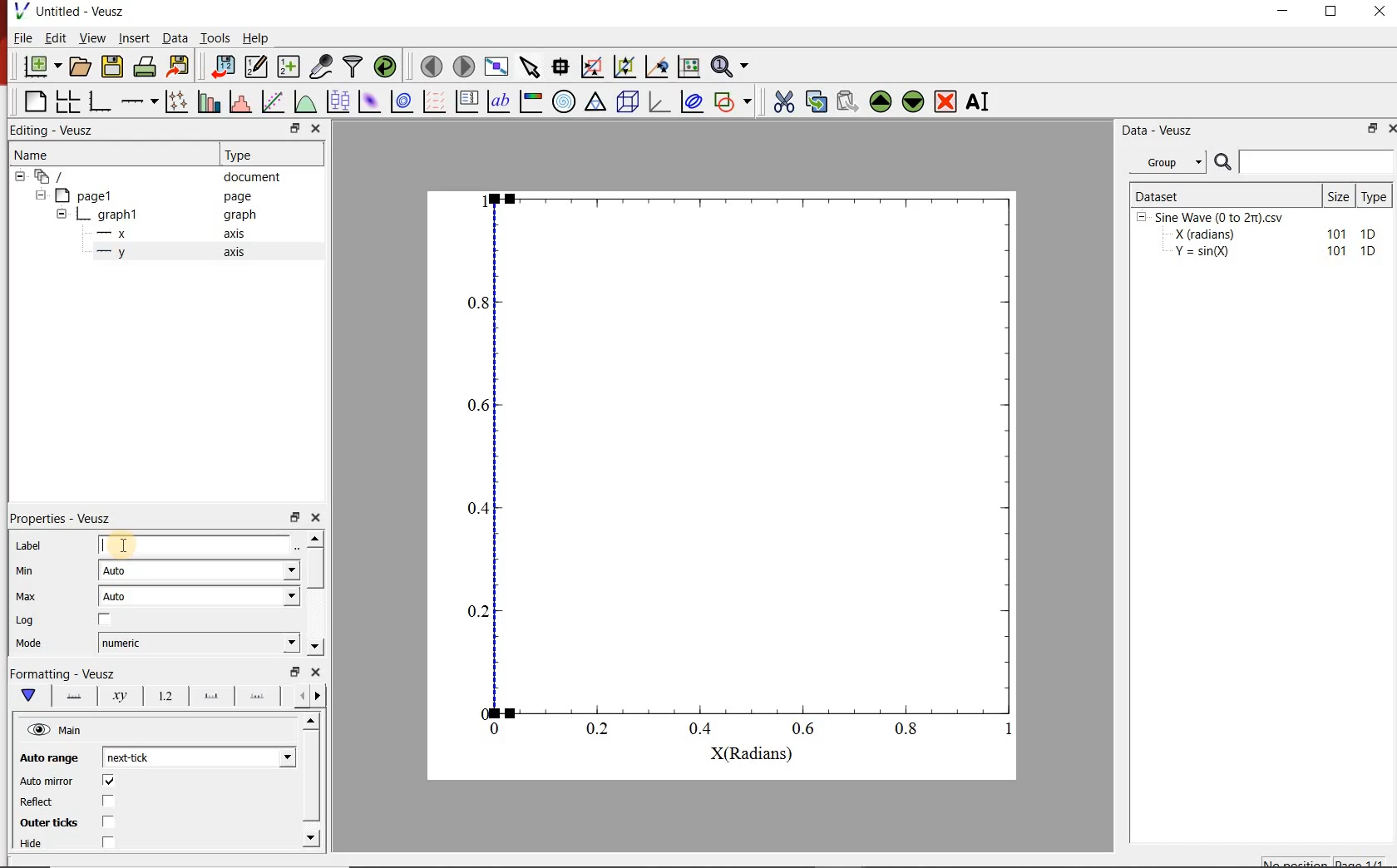  Describe the element at coordinates (1332, 12) in the screenshot. I see `Maximize` at that location.